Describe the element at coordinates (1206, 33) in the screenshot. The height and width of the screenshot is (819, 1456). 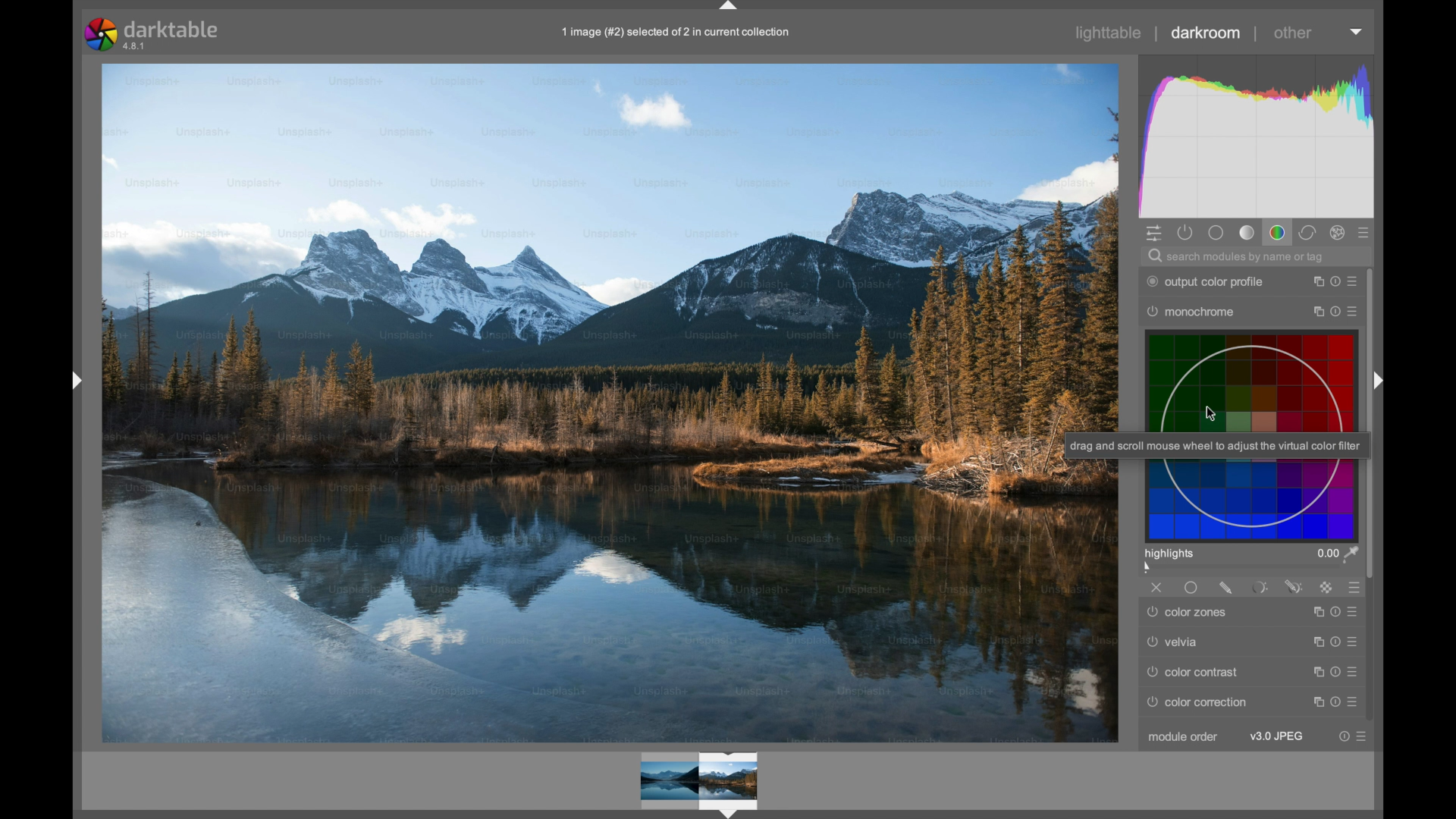
I see `darkroom` at that location.